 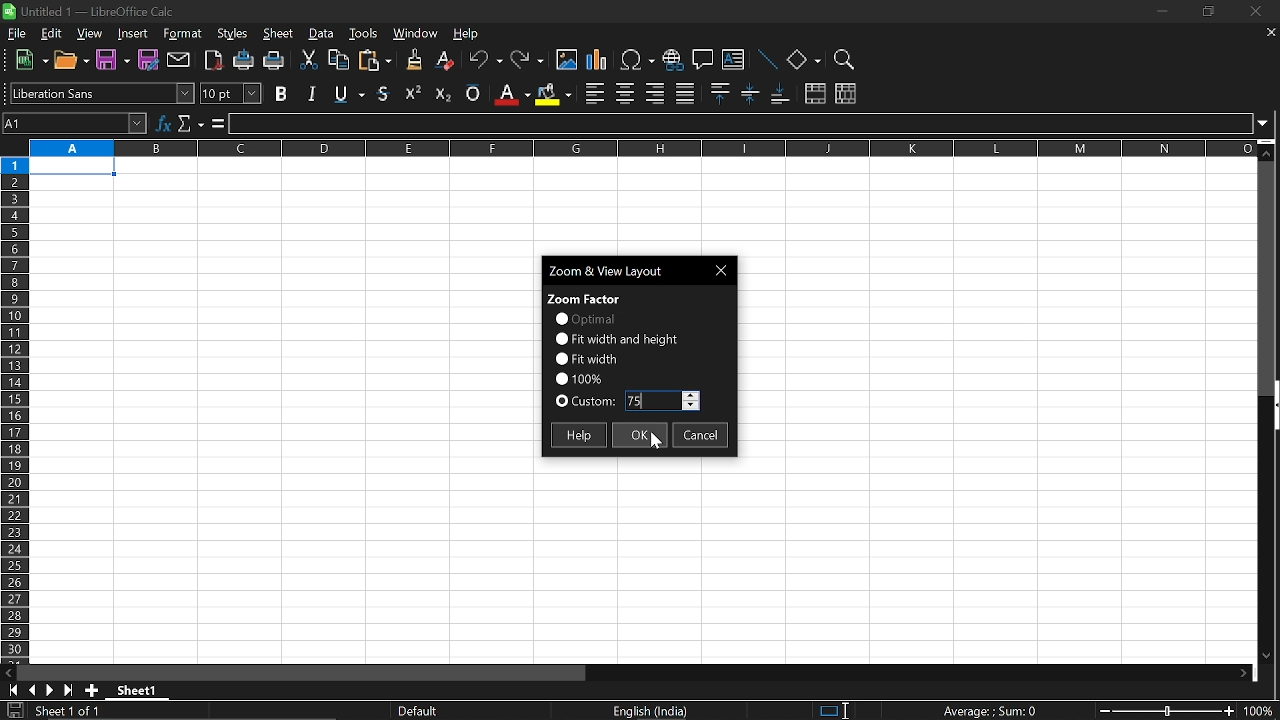 What do you see at coordinates (528, 61) in the screenshot?
I see `redo` at bounding box center [528, 61].